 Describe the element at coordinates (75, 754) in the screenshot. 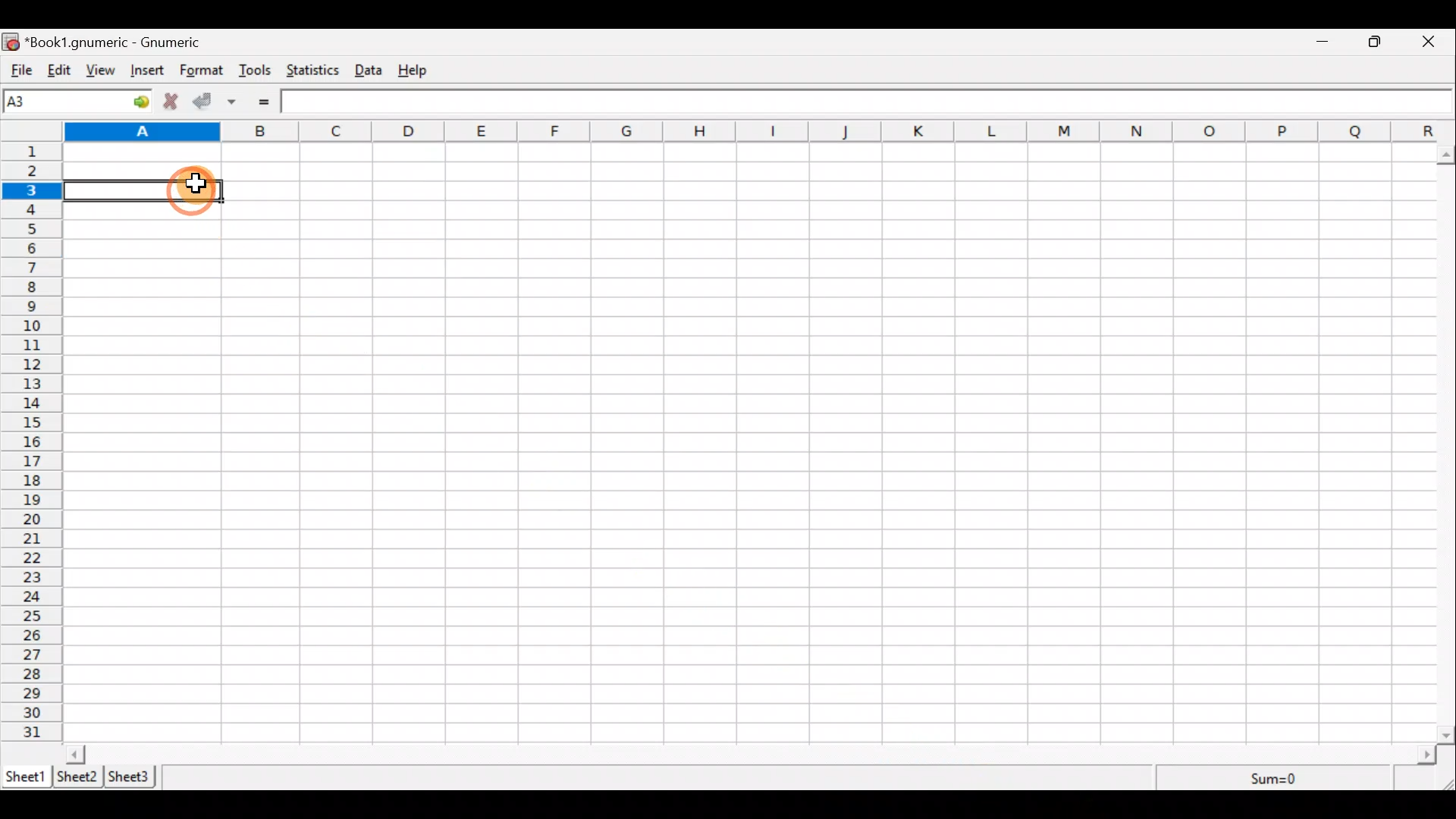

I see `scroll left` at that location.